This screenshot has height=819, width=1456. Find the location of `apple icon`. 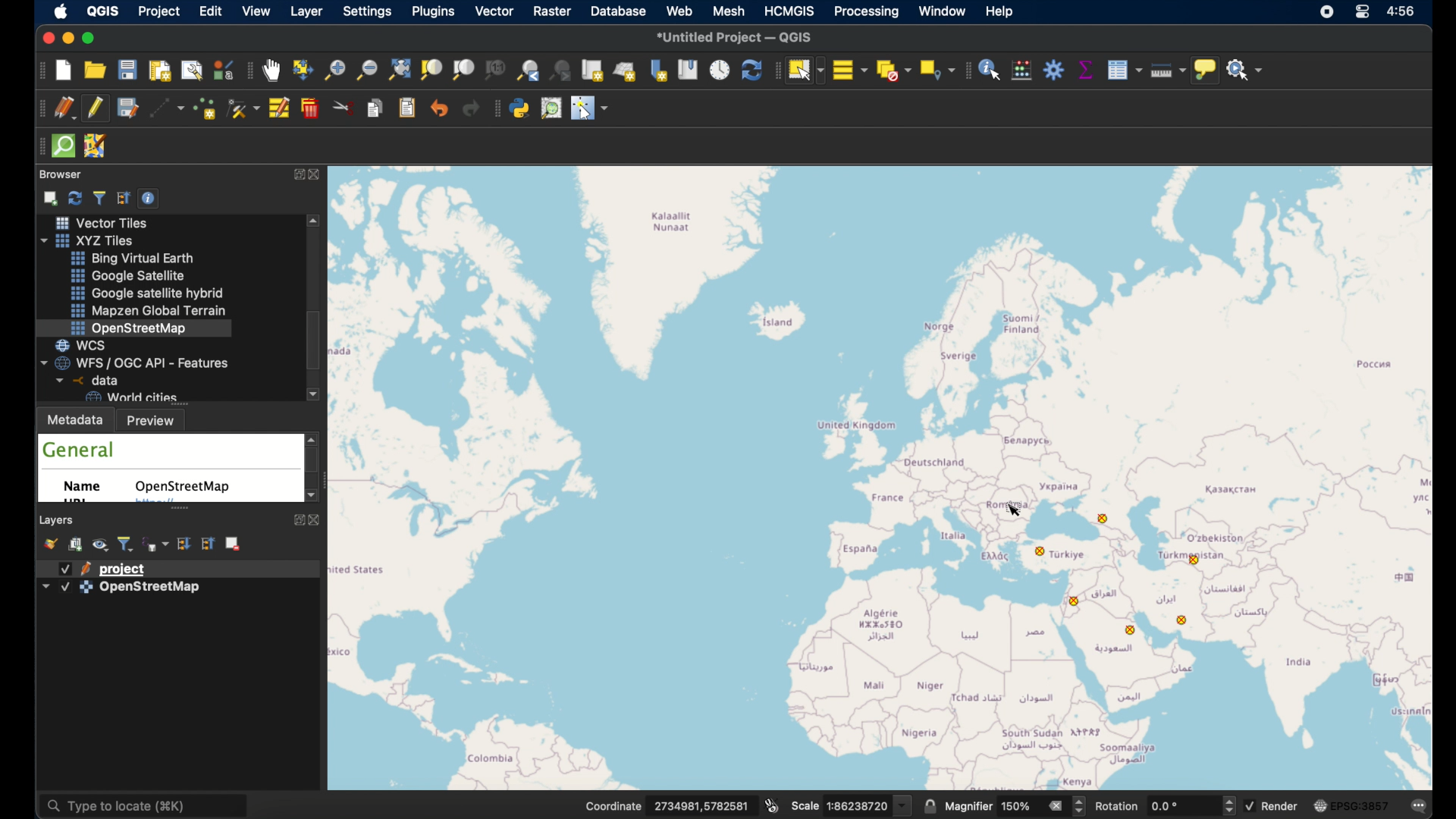

apple icon is located at coordinates (64, 13).